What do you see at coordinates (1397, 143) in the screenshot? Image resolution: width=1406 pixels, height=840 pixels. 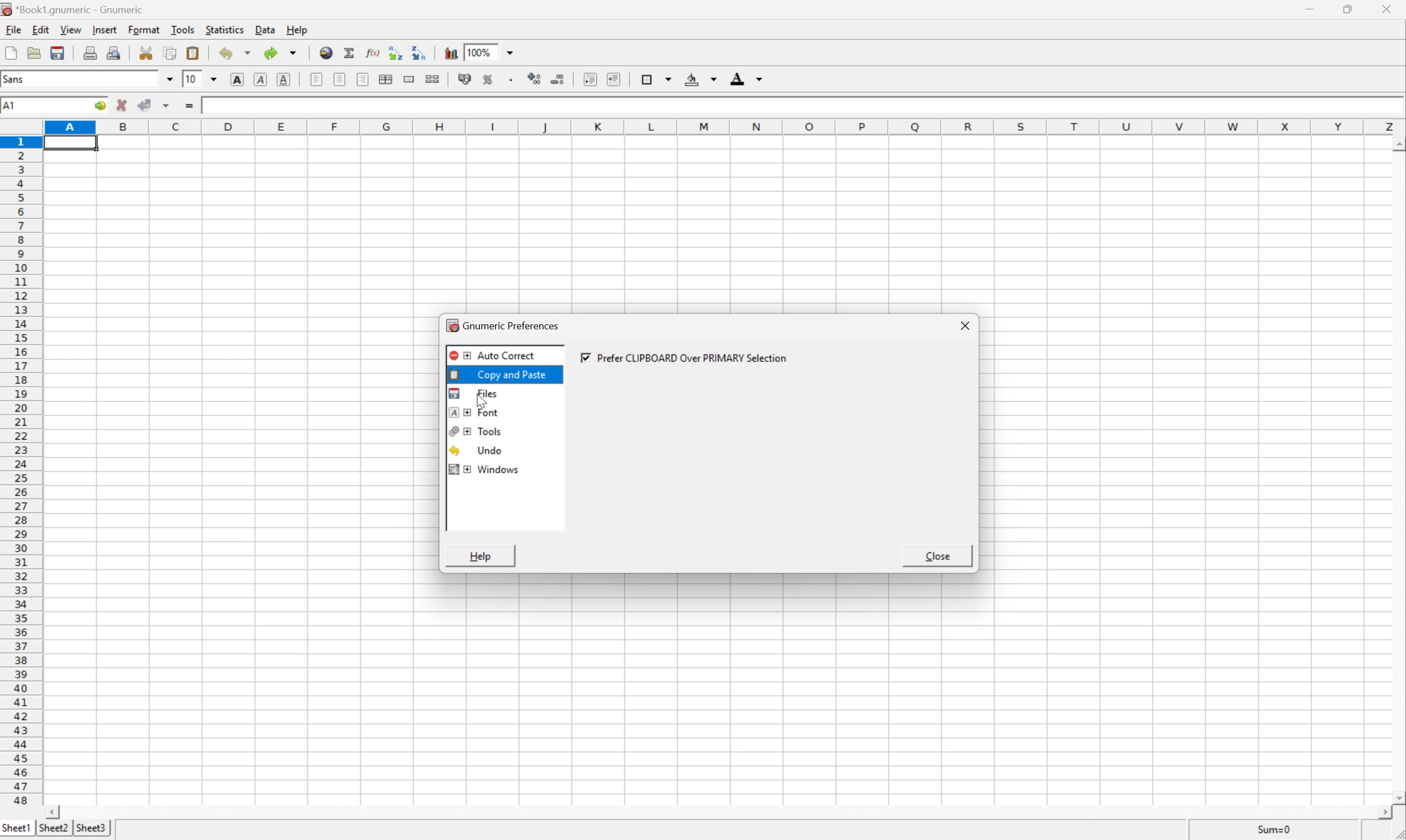 I see `scroll up` at bounding box center [1397, 143].